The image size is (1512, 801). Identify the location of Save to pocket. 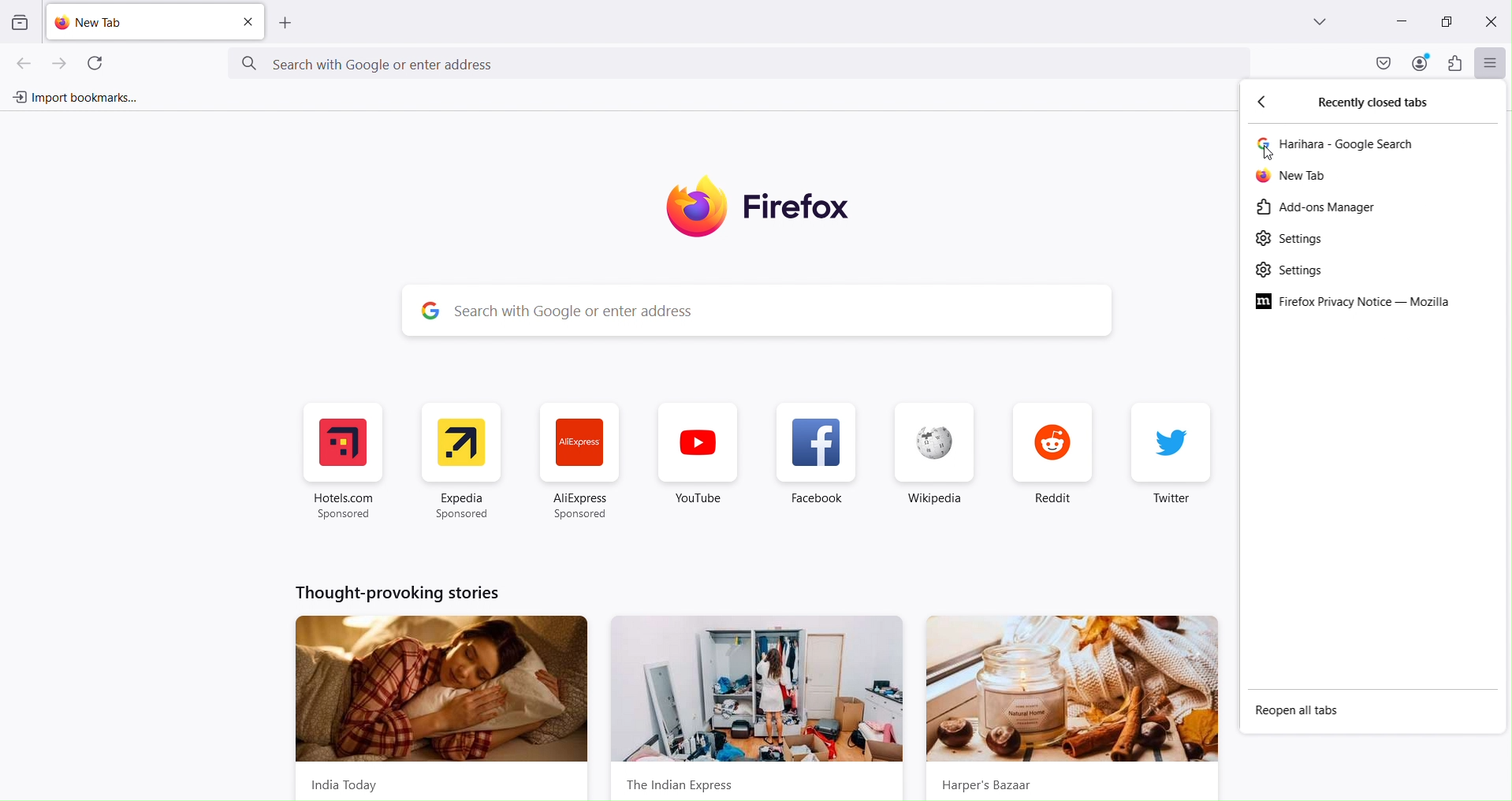
(1381, 62).